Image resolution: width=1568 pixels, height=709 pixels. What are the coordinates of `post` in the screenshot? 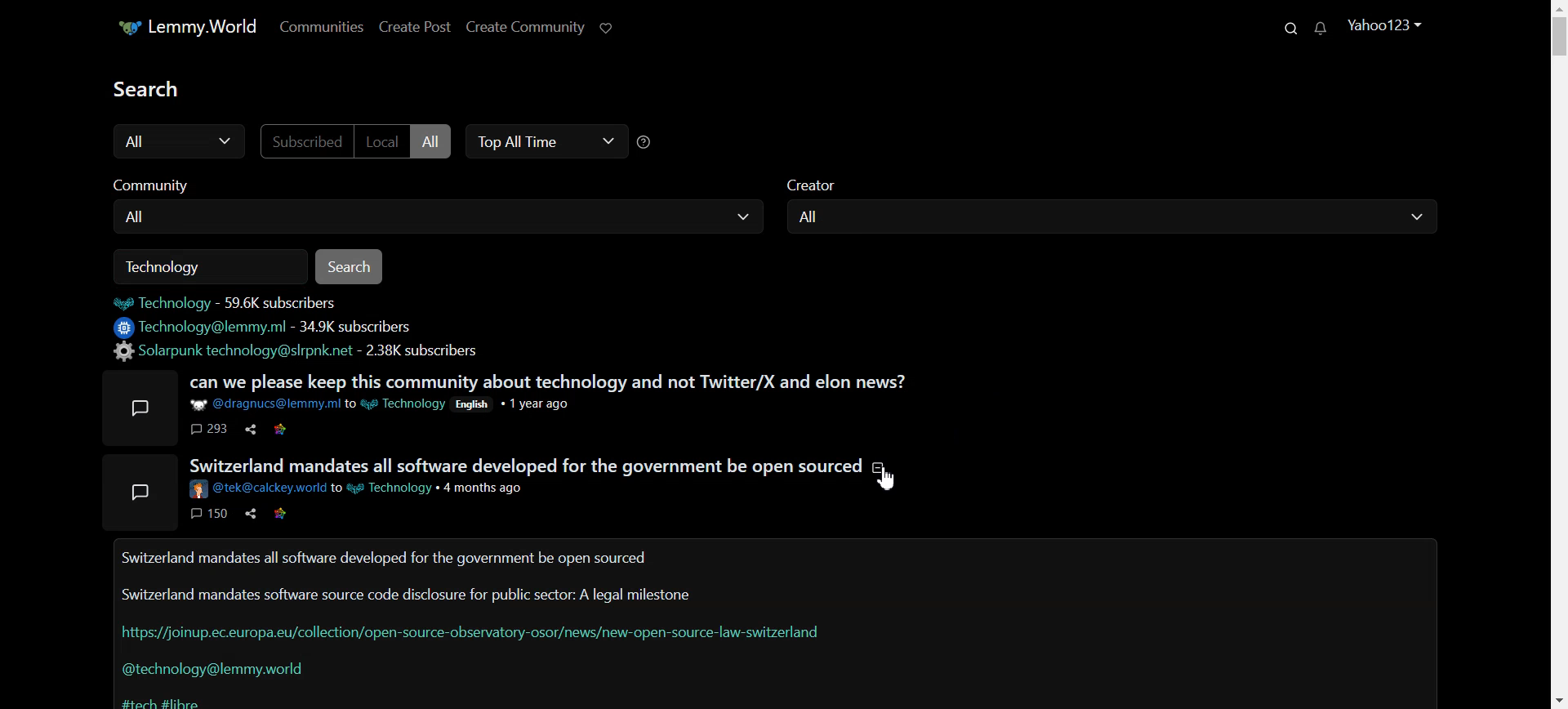 It's located at (144, 408).